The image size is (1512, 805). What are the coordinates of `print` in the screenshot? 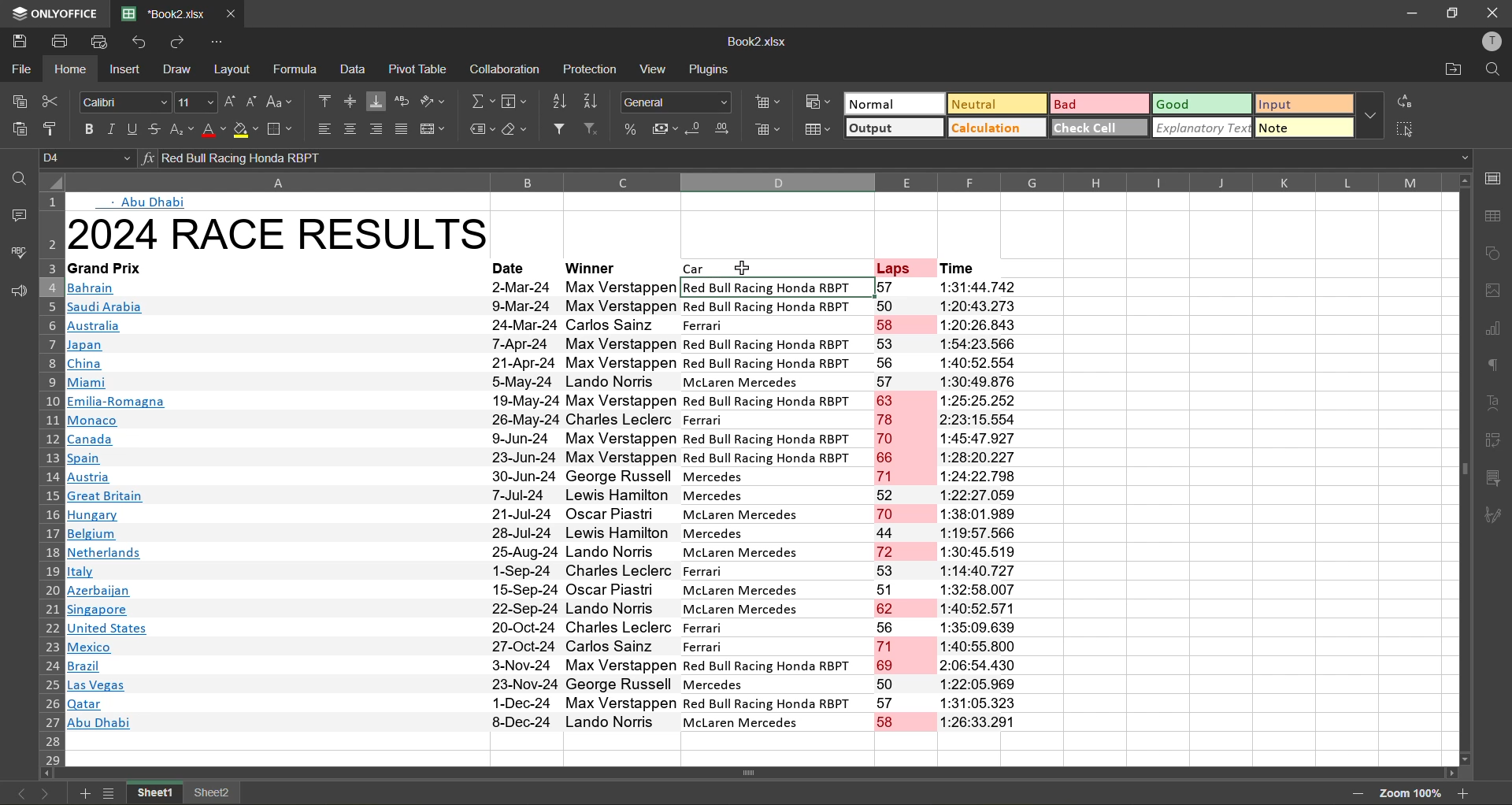 It's located at (60, 43).